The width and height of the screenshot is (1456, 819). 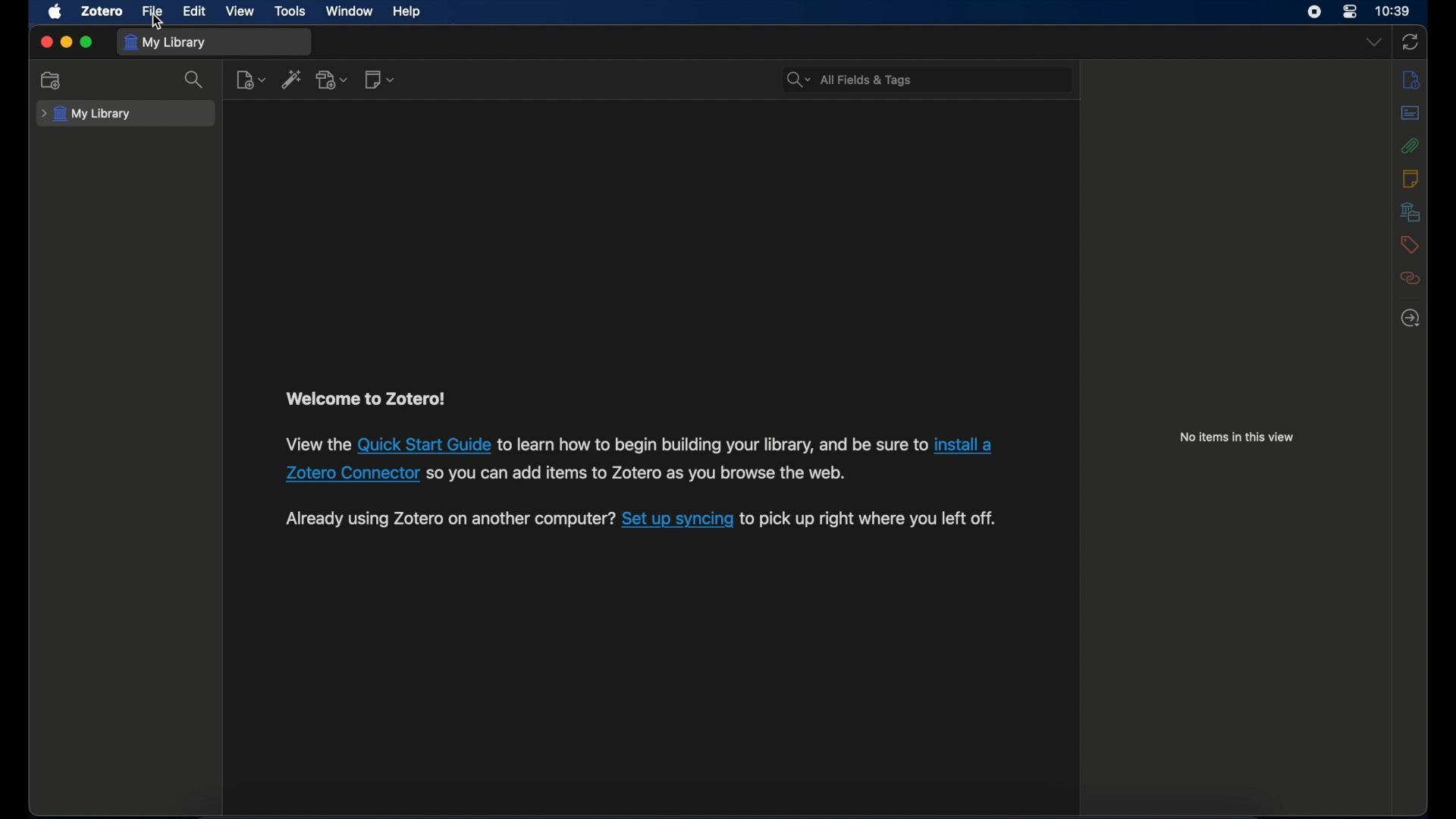 I want to click on tags, so click(x=1407, y=245).